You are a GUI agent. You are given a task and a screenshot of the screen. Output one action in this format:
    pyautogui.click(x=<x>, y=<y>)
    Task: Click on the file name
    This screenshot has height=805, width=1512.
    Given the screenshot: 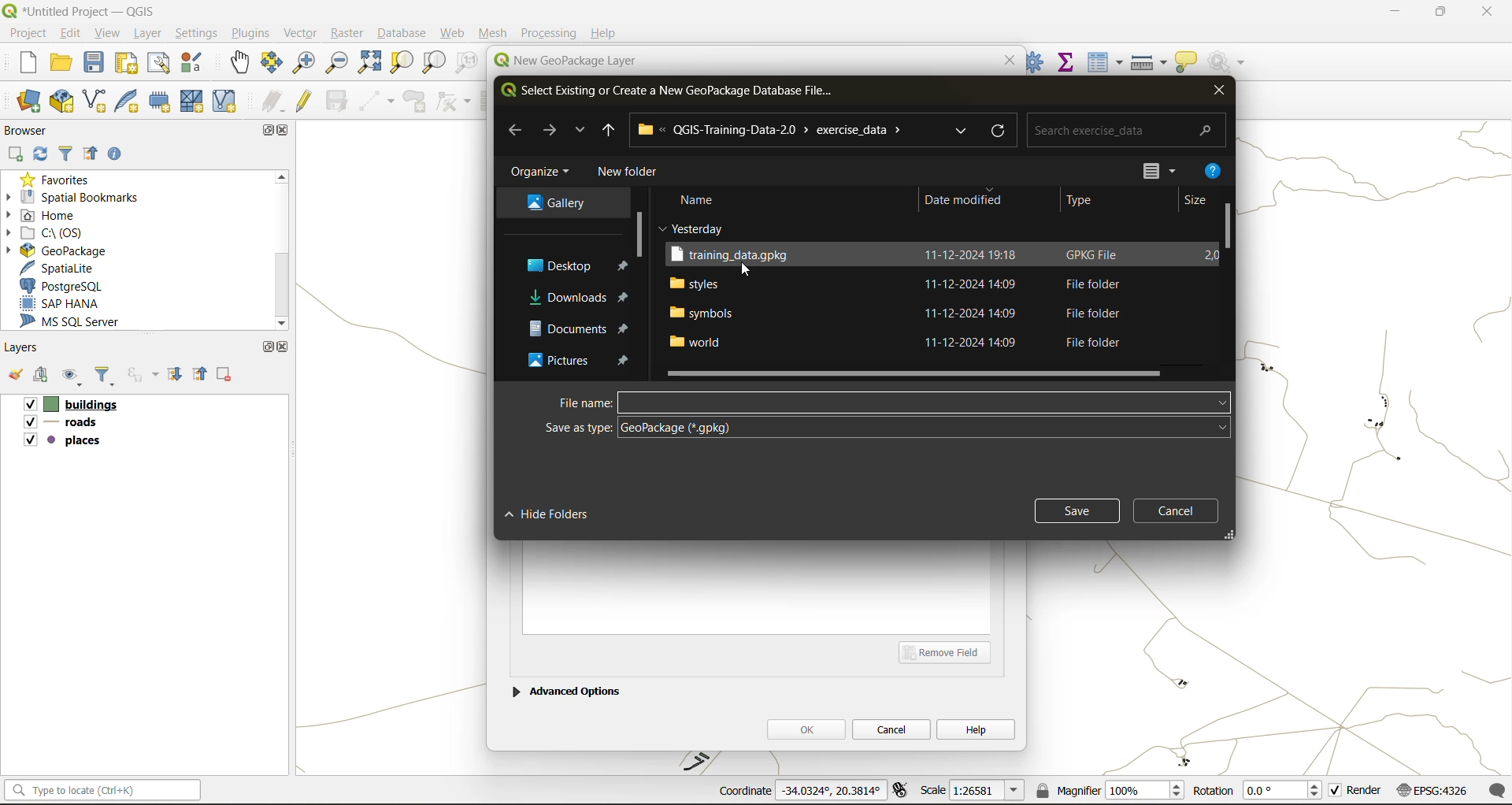 What is the action you would take?
    pyautogui.click(x=889, y=401)
    